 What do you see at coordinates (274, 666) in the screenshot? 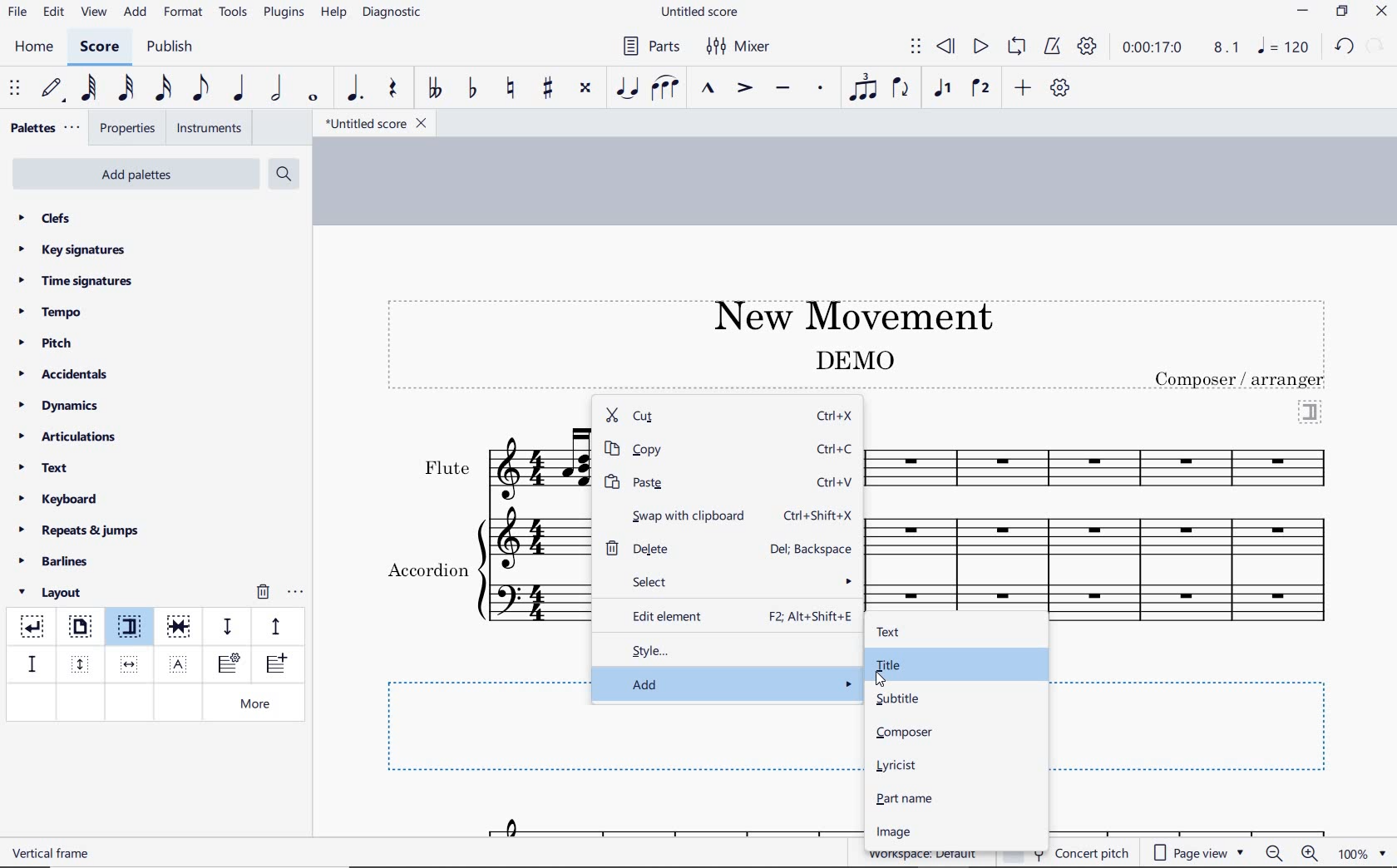
I see `insert one measure before selection` at bounding box center [274, 666].